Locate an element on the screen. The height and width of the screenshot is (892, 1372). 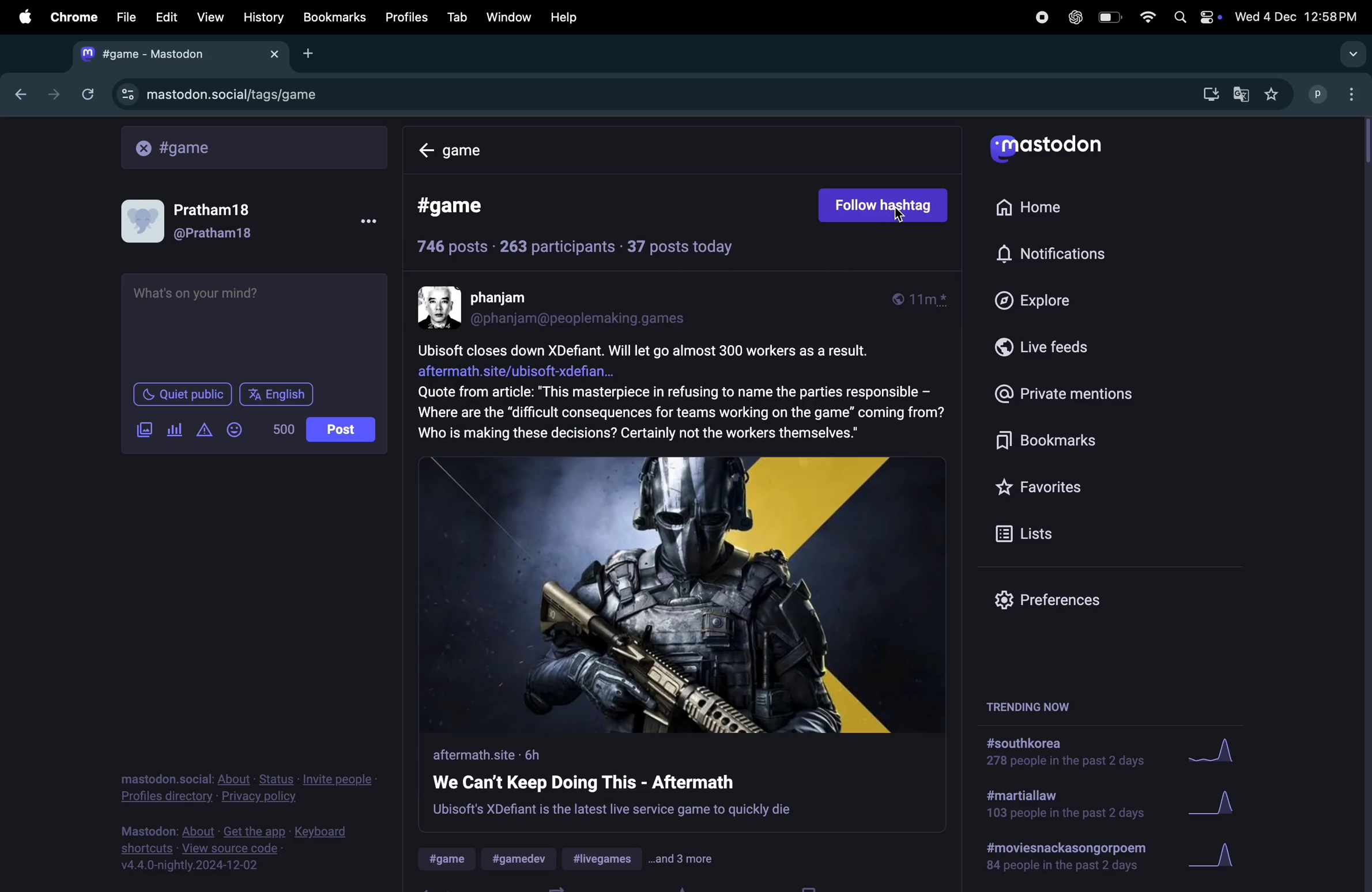
private mentions is located at coordinates (1081, 393).